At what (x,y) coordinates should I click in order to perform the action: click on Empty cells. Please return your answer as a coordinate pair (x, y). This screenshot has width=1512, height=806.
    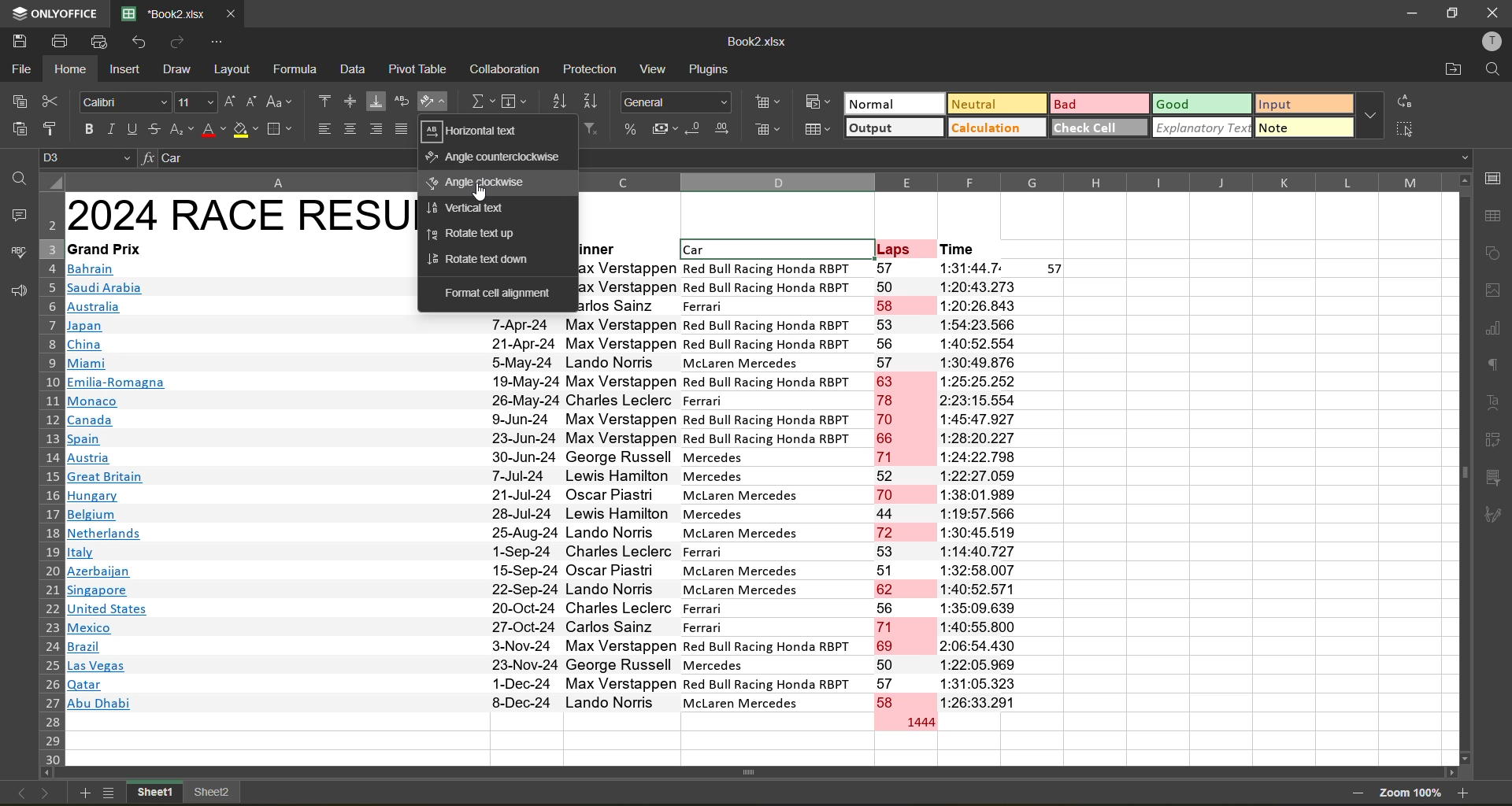
    Looking at the image, I should click on (1273, 509).